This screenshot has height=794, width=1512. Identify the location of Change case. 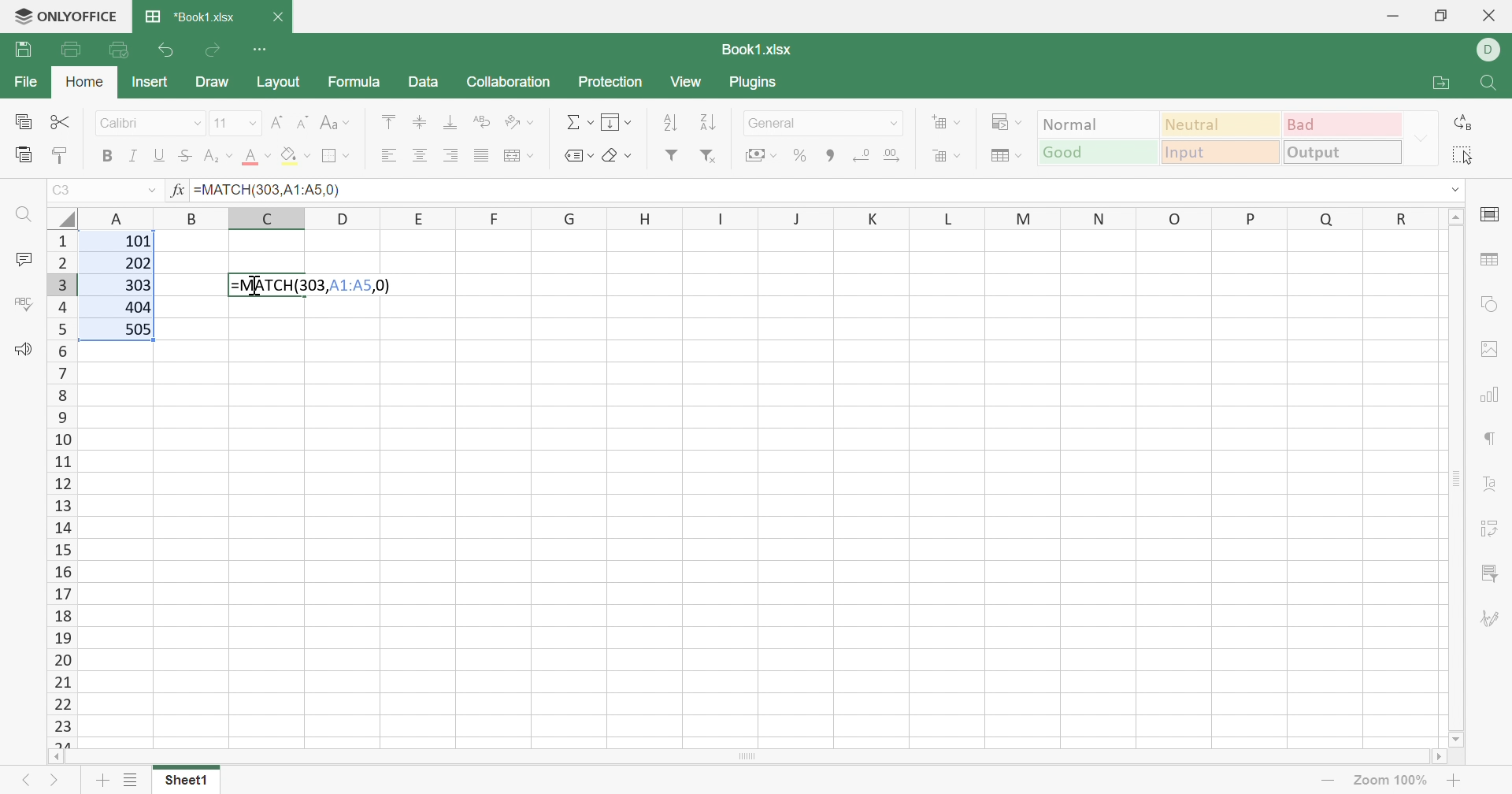
(338, 124).